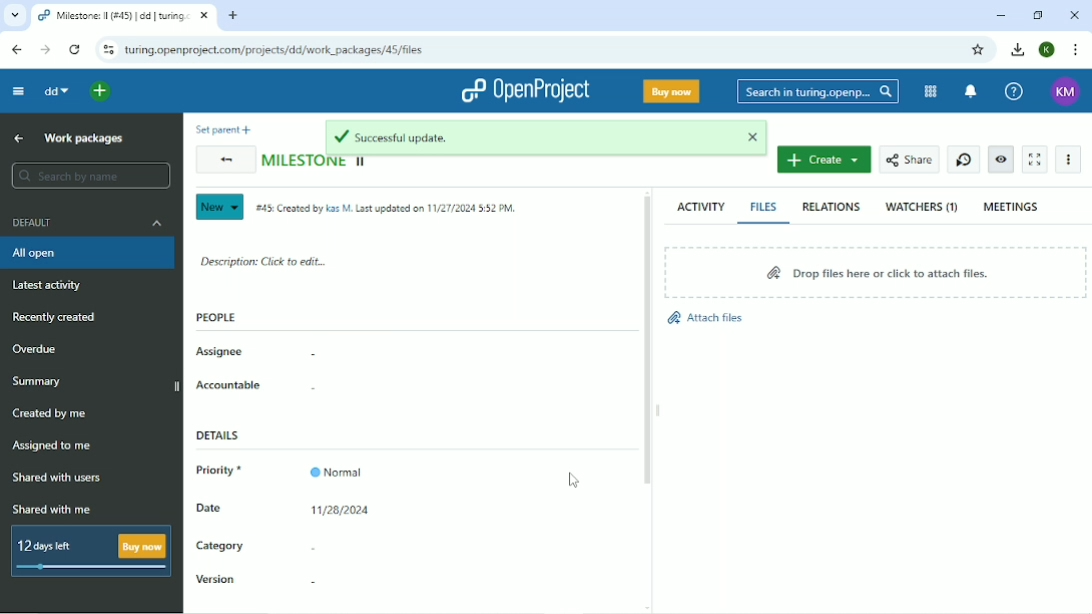 The height and width of the screenshot is (614, 1092). What do you see at coordinates (390, 210) in the screenshot?
I see `Created by and on` at bounding box center [390, 210].